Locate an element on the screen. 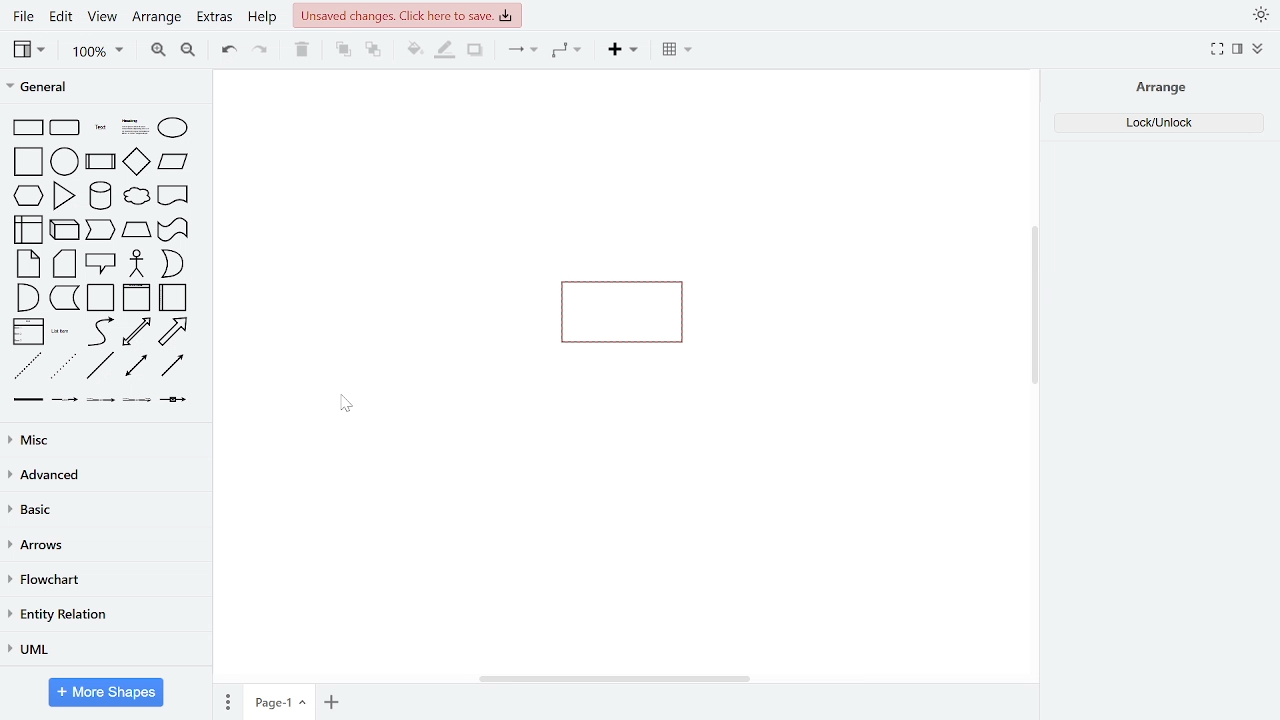 This screenshot has width=1280, height=720. dotted line is located at coordinates (66, 365).